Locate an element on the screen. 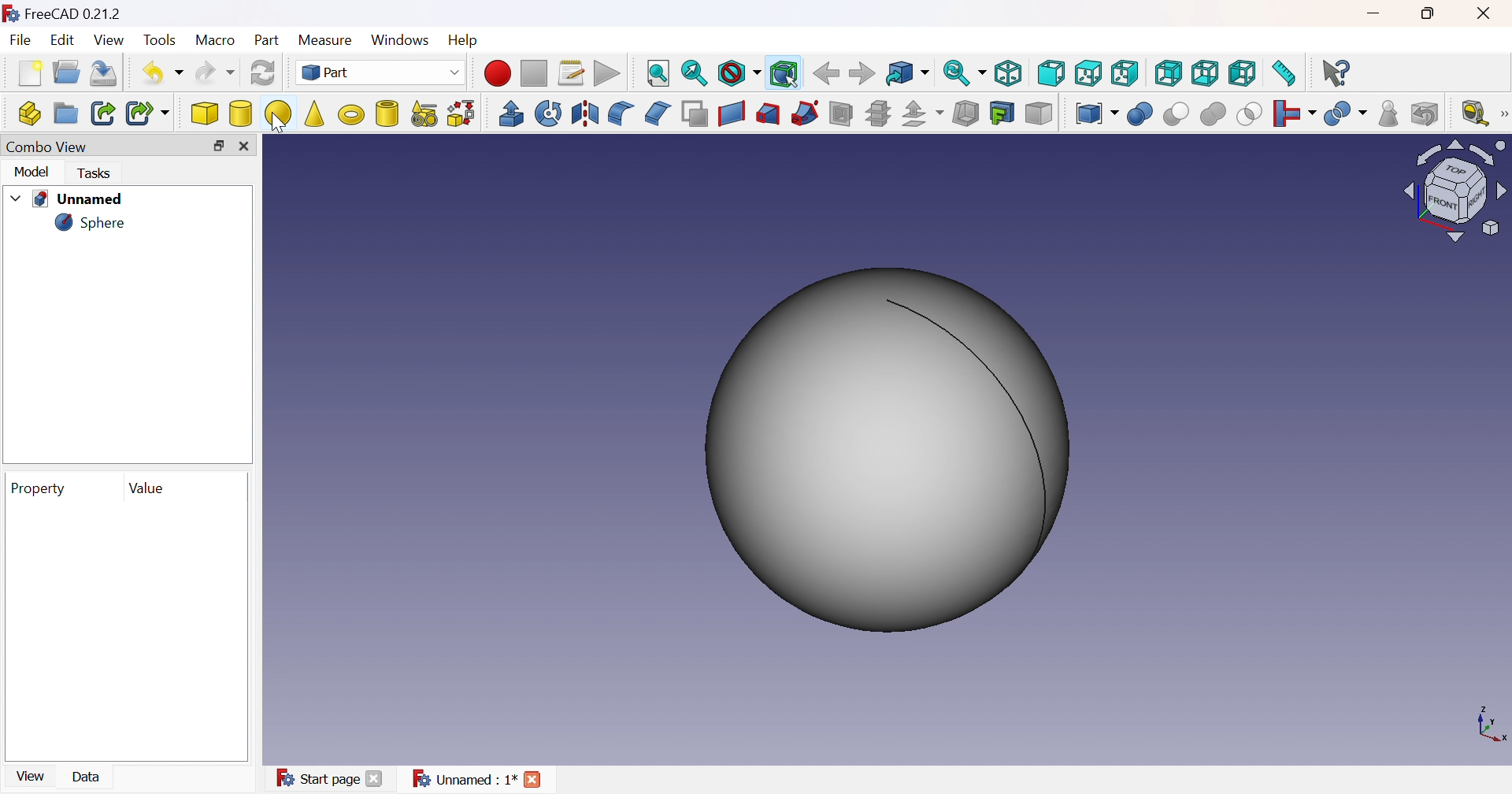 Image resolution: width=1512 pixels, height=794 pixels. Right is located at coordinates (1127, 72).